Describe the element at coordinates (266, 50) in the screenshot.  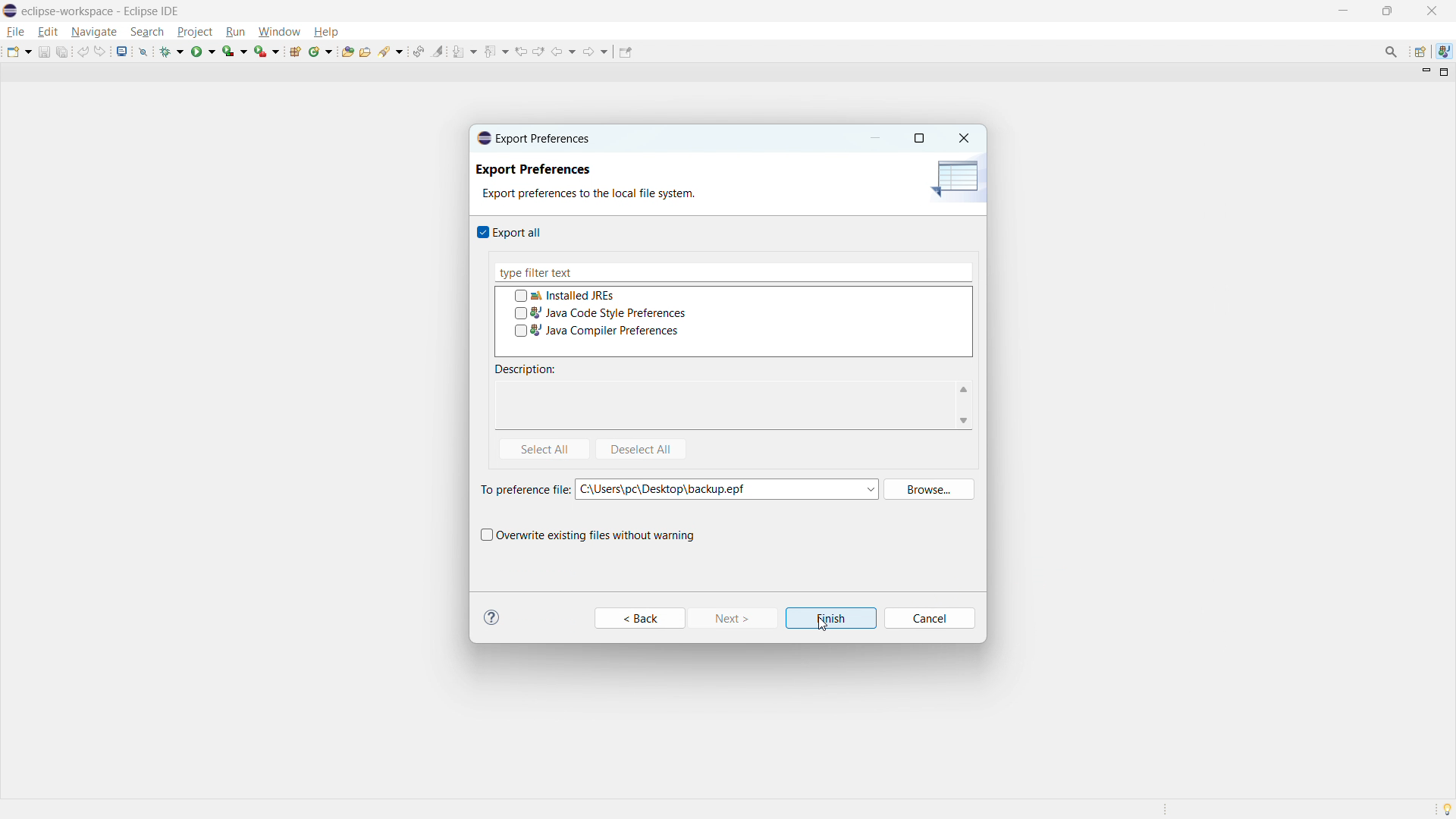
I see `run last tool` at that location.